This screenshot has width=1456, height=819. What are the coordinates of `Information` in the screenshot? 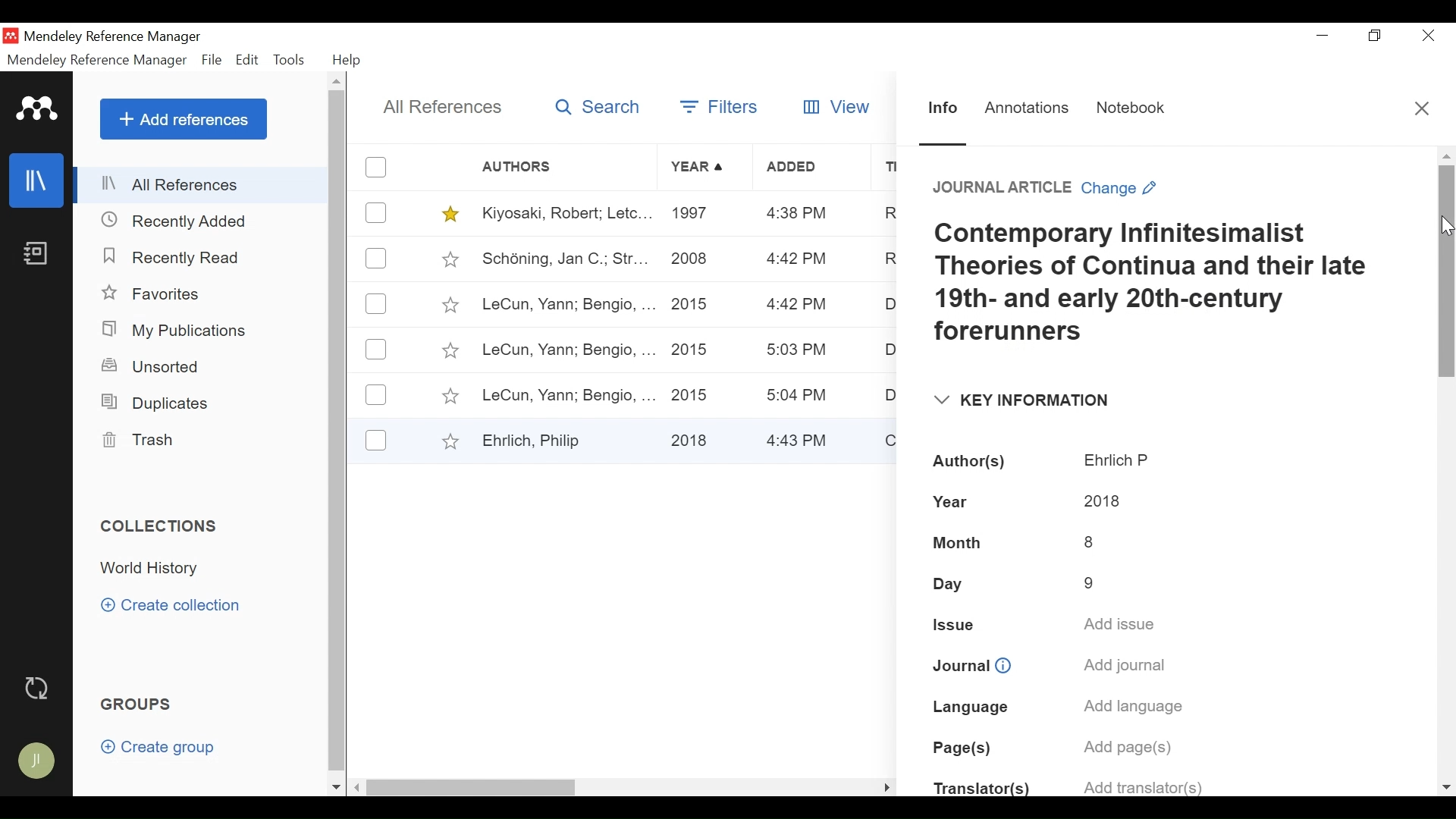 It's located at (943, 113).